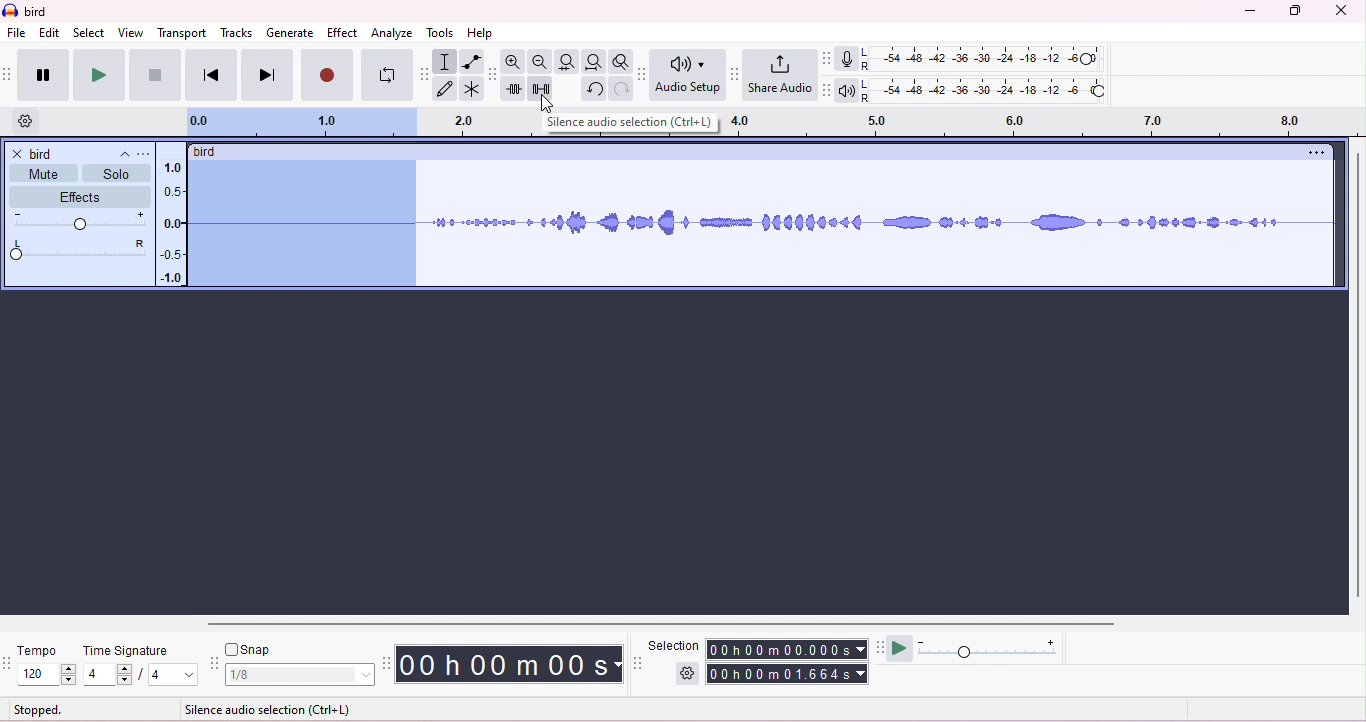 The height and width of the screenshot is (722, 1366). Describe the element at coordinates (171, 220) in the screenshot. I see `amplitude` at that location.